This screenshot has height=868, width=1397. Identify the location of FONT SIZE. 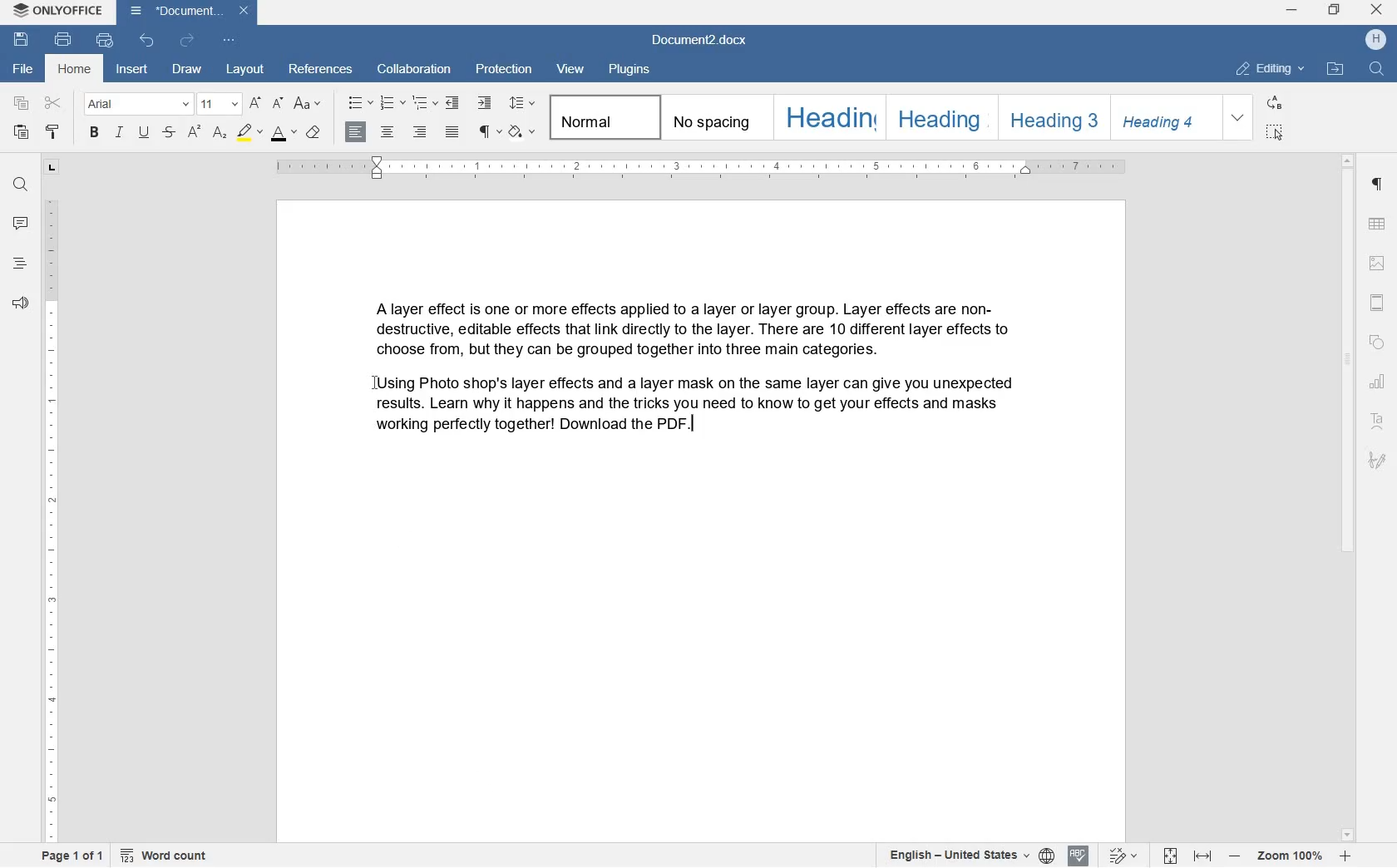
(285, 135).